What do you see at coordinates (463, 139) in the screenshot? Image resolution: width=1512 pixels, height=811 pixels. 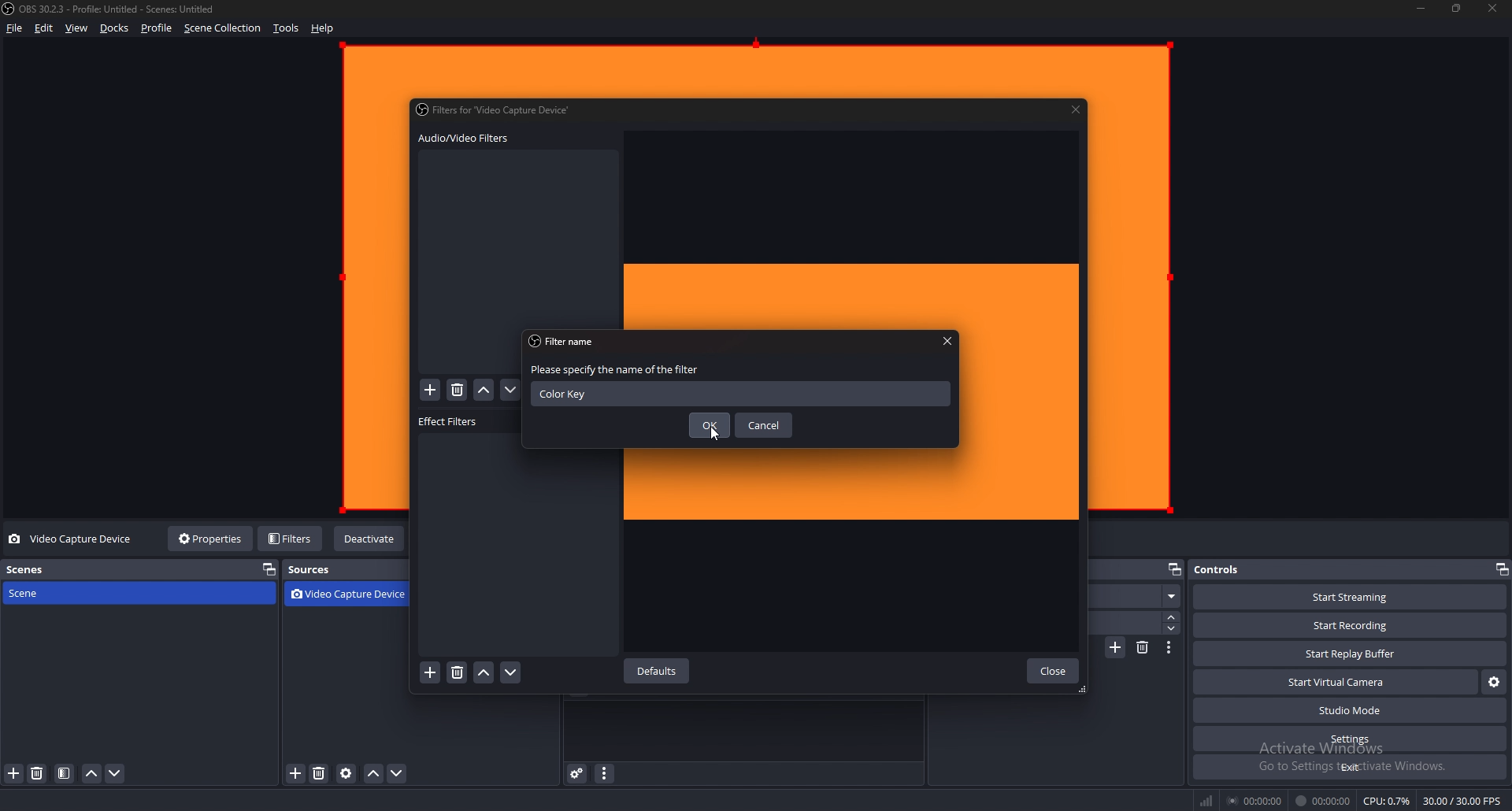 I see `audio video filter` at bounding box center [463, 139].